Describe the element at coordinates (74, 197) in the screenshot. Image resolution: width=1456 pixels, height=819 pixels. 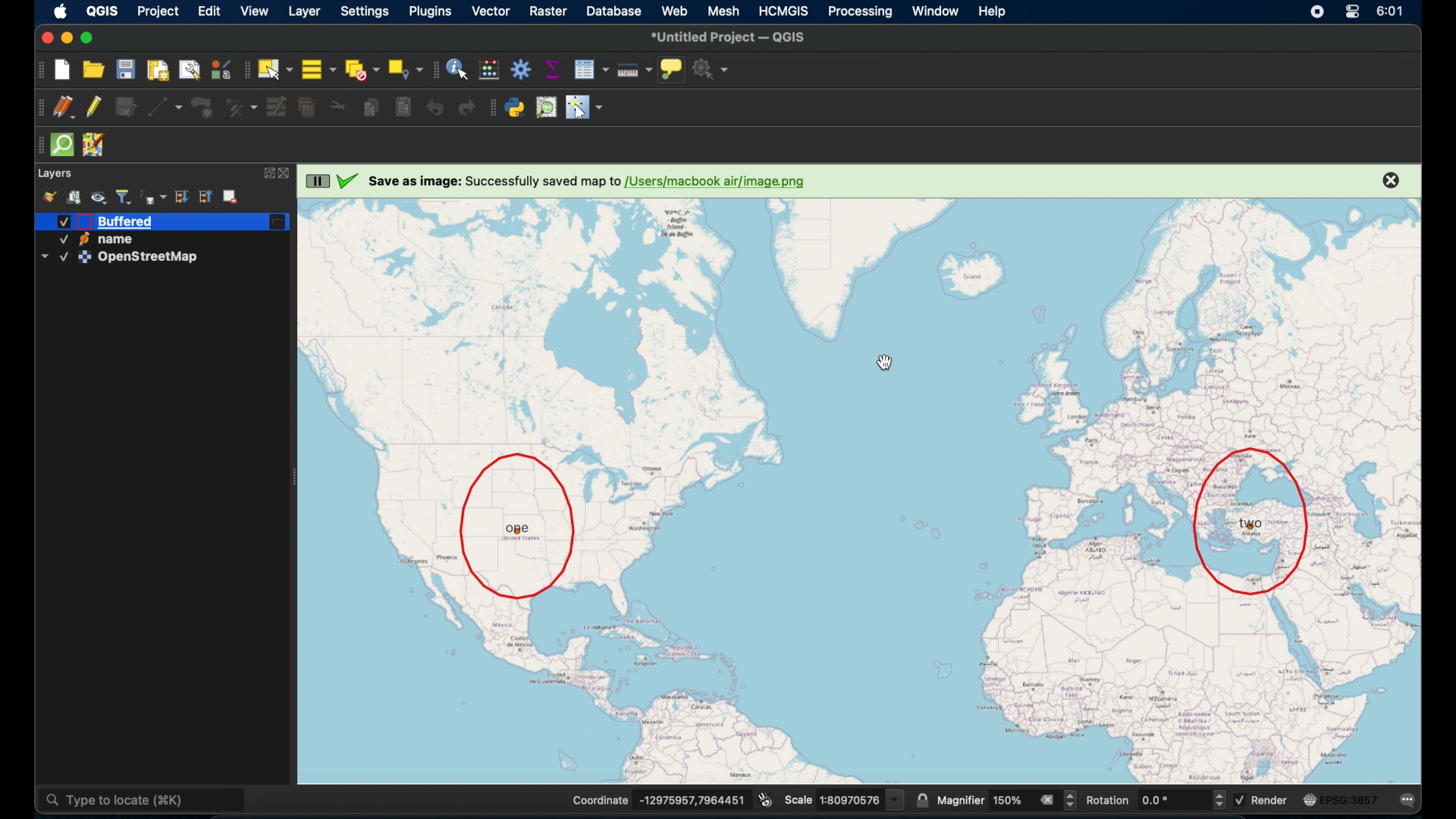
I see `add group` at that location.